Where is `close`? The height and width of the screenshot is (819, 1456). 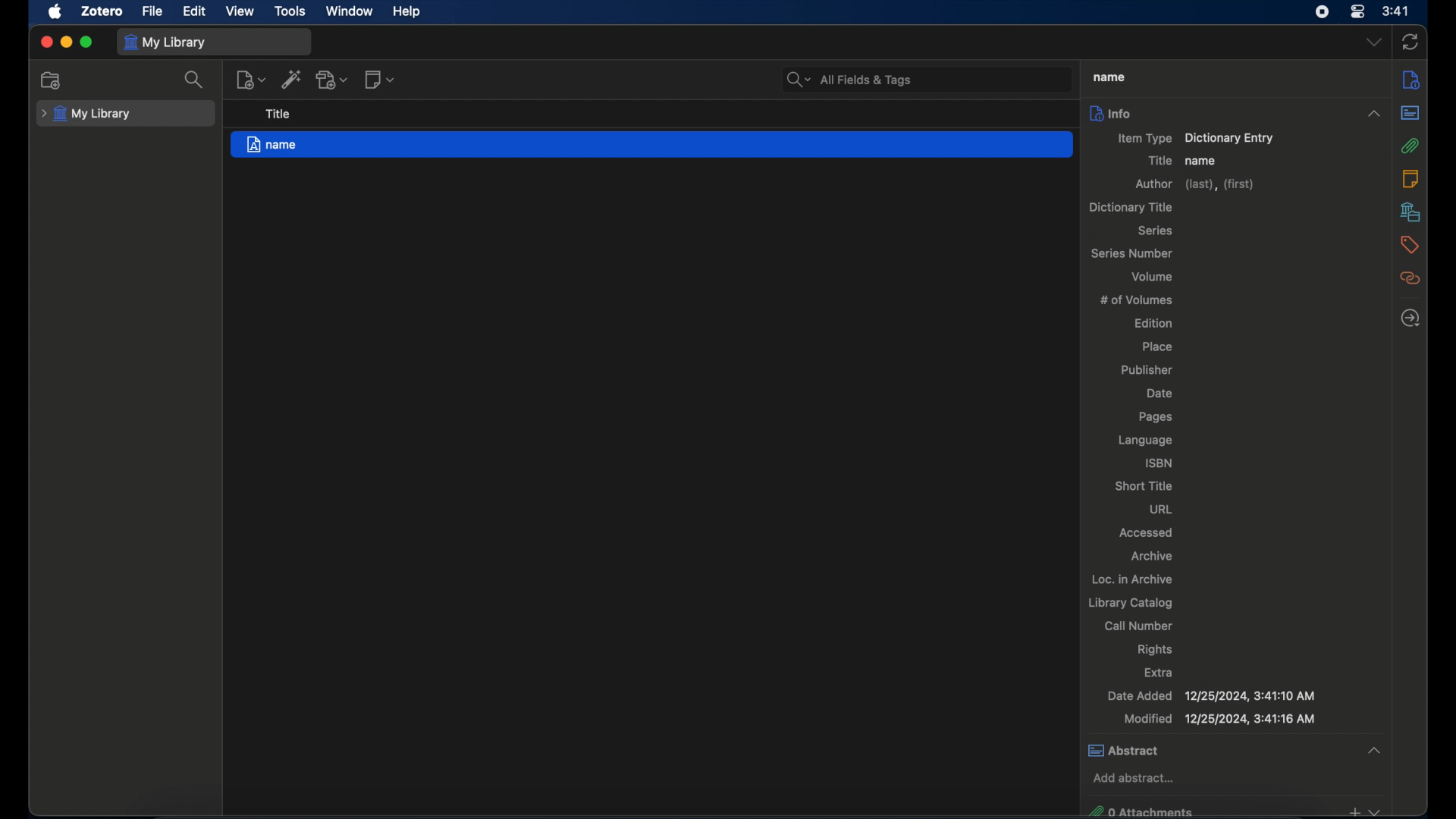
close is located at coordinates (45, 42).